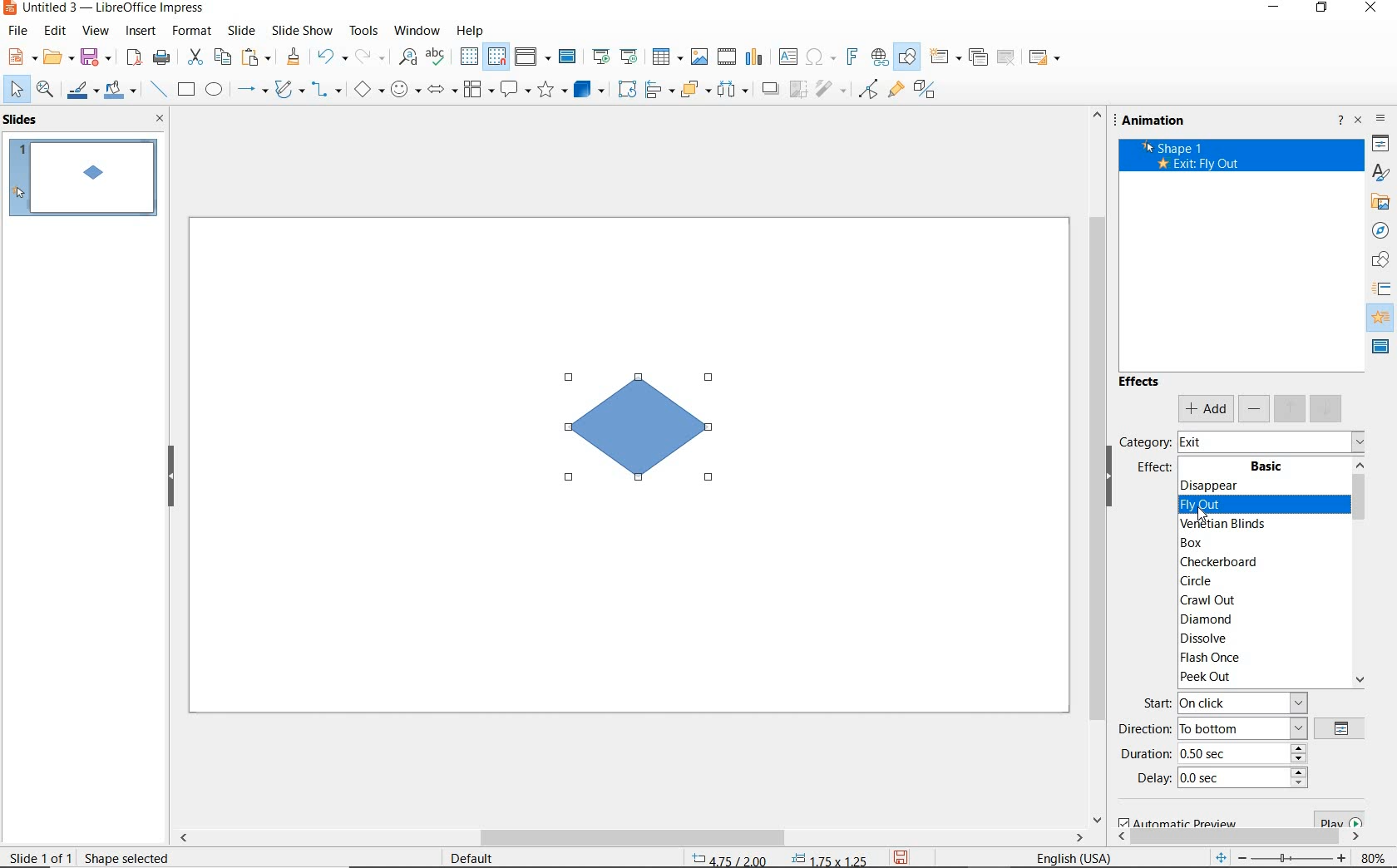  Describe the element at coordinates (1224, 703) in the screenshot. I see `start` at that location.